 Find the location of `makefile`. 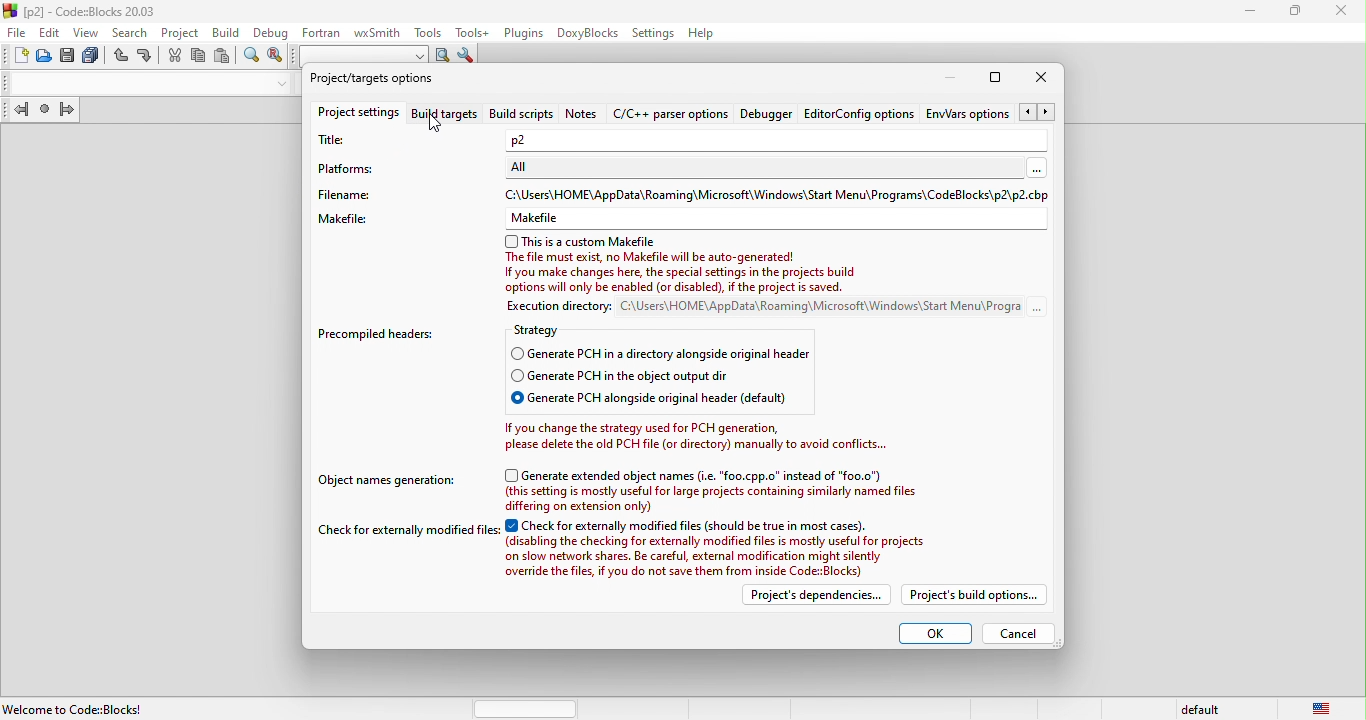

makefile is located at coordinates (395, 219).